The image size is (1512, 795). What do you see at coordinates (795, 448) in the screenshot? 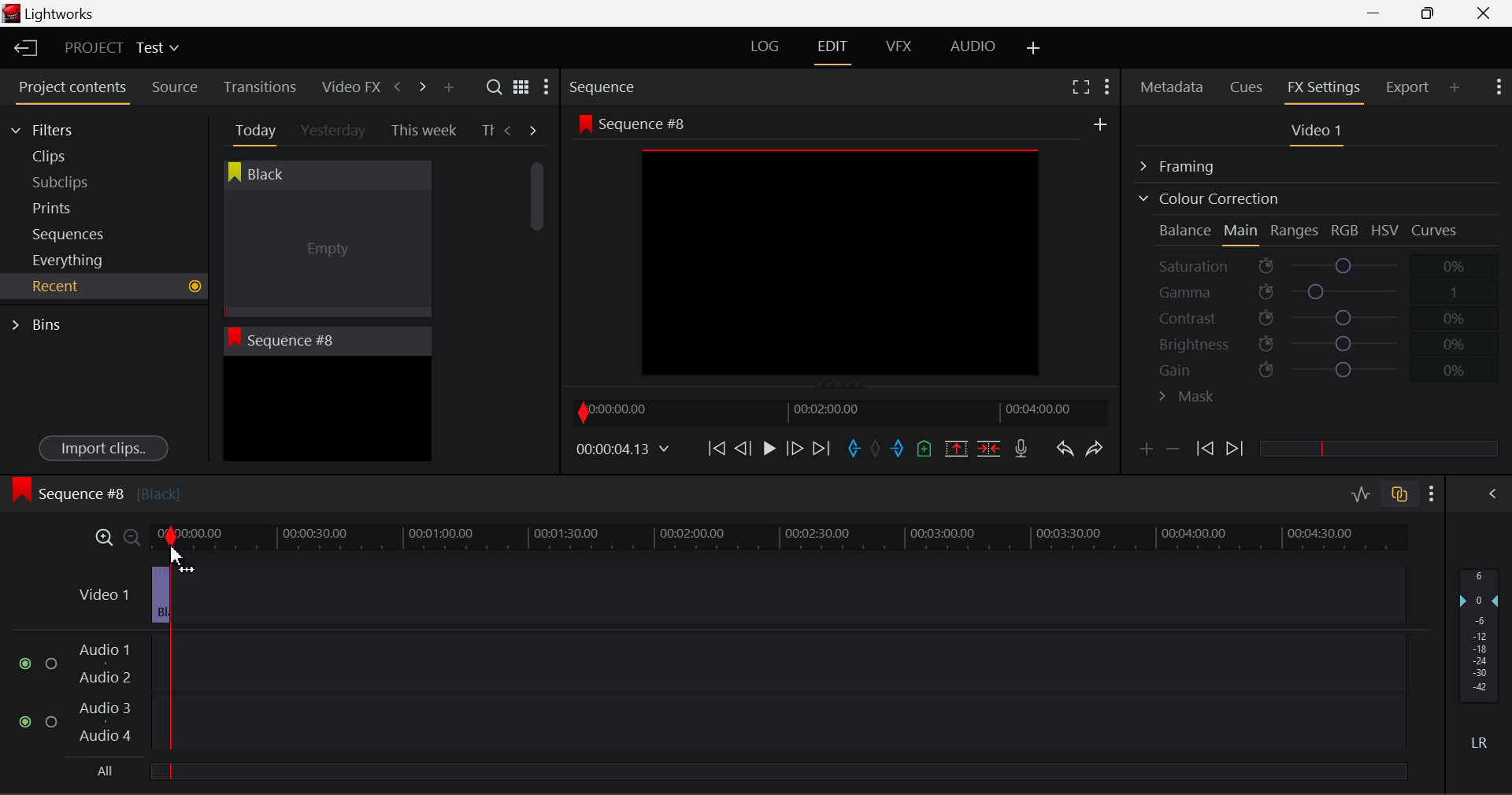
I see `Go Forward` at bounding box center [795, 448].